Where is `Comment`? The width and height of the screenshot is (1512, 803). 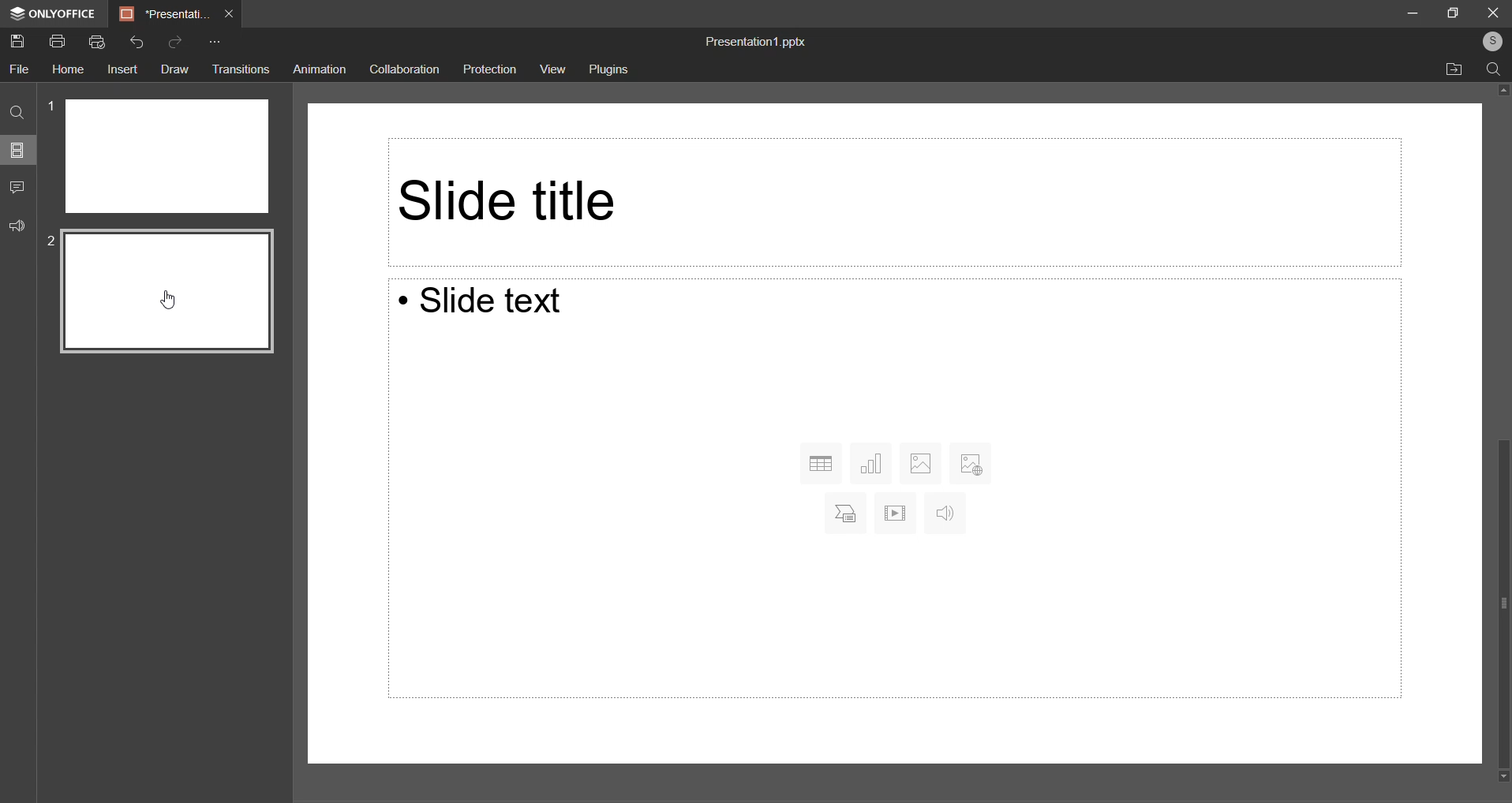
Comment is located at coordinates (21, 187).